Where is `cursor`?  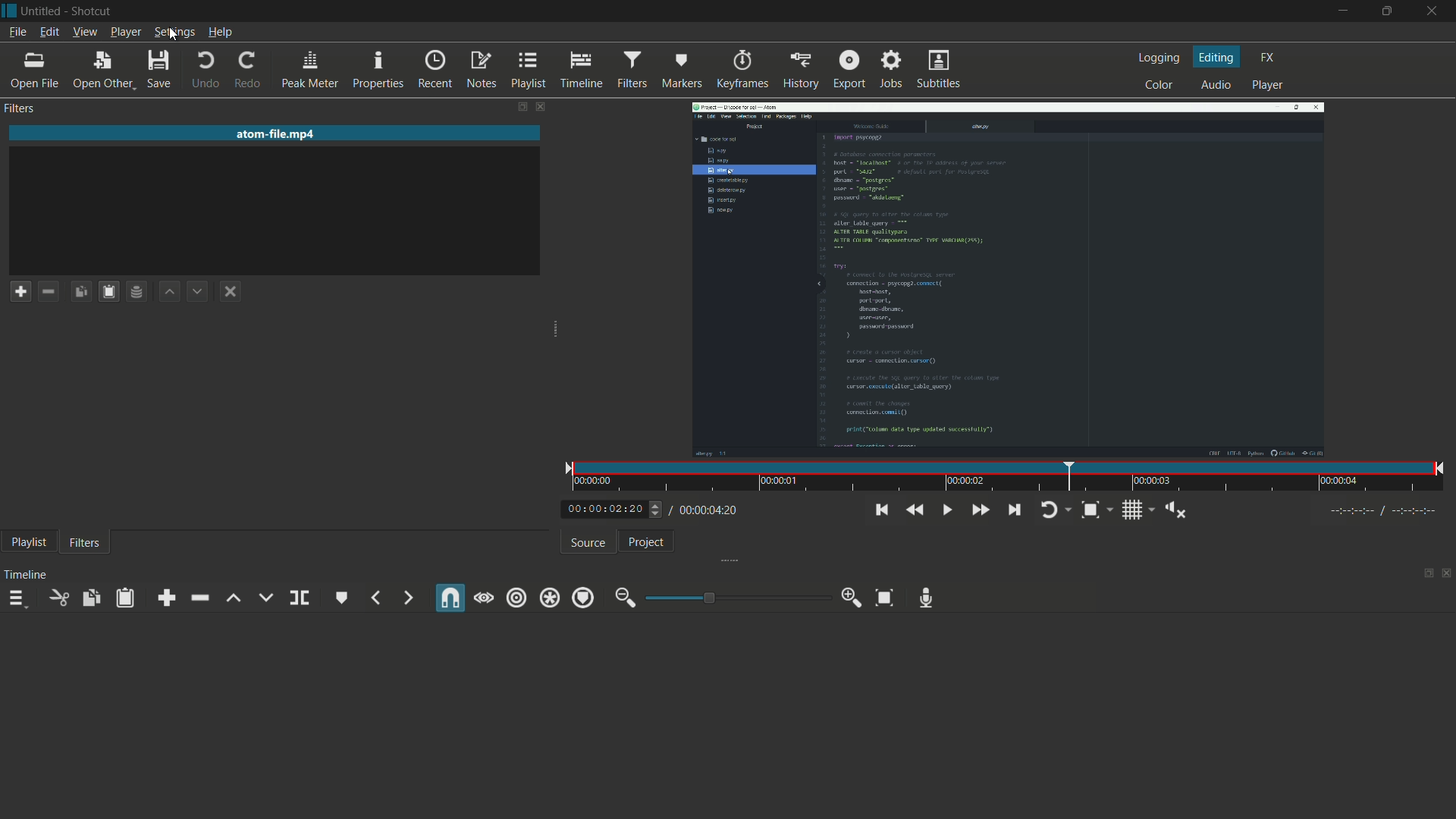
cursor is located at coordinates (173, 36).